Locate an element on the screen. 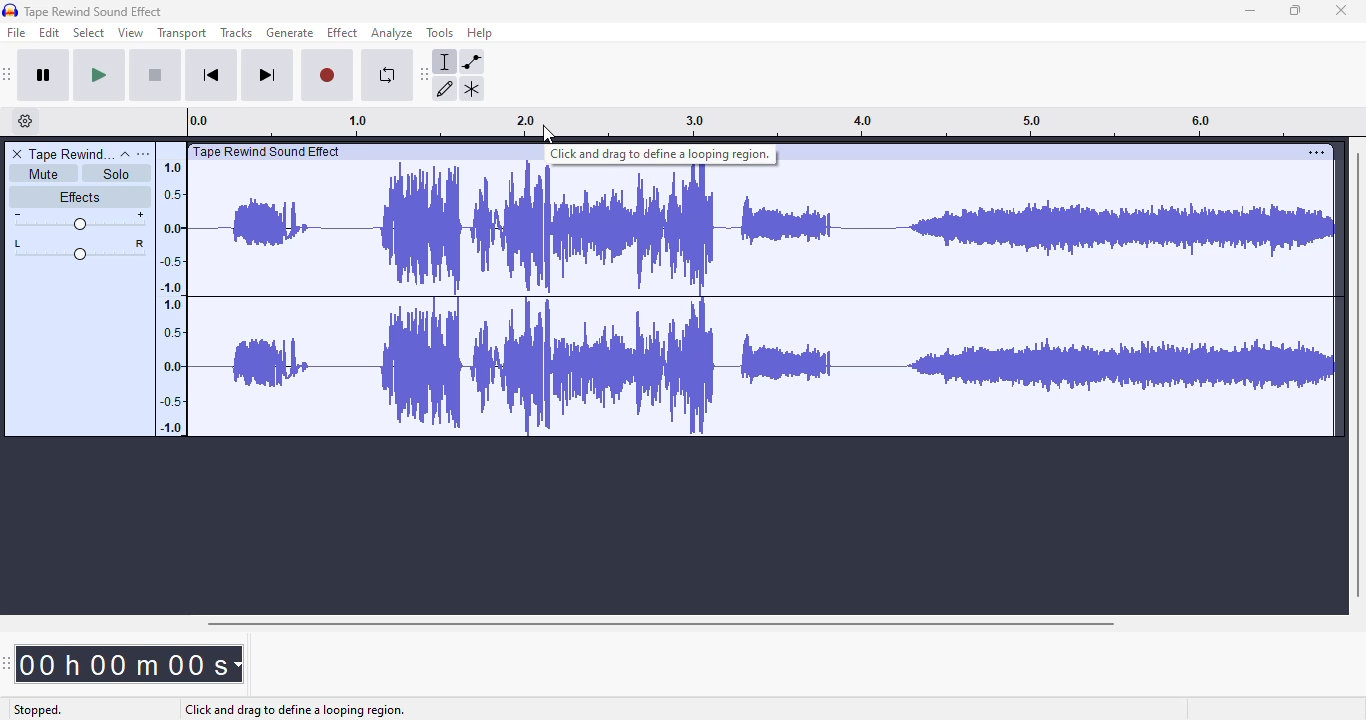 The width and height of the screenshot is (1366, 720). open menu is located at coordinates (144, 154).